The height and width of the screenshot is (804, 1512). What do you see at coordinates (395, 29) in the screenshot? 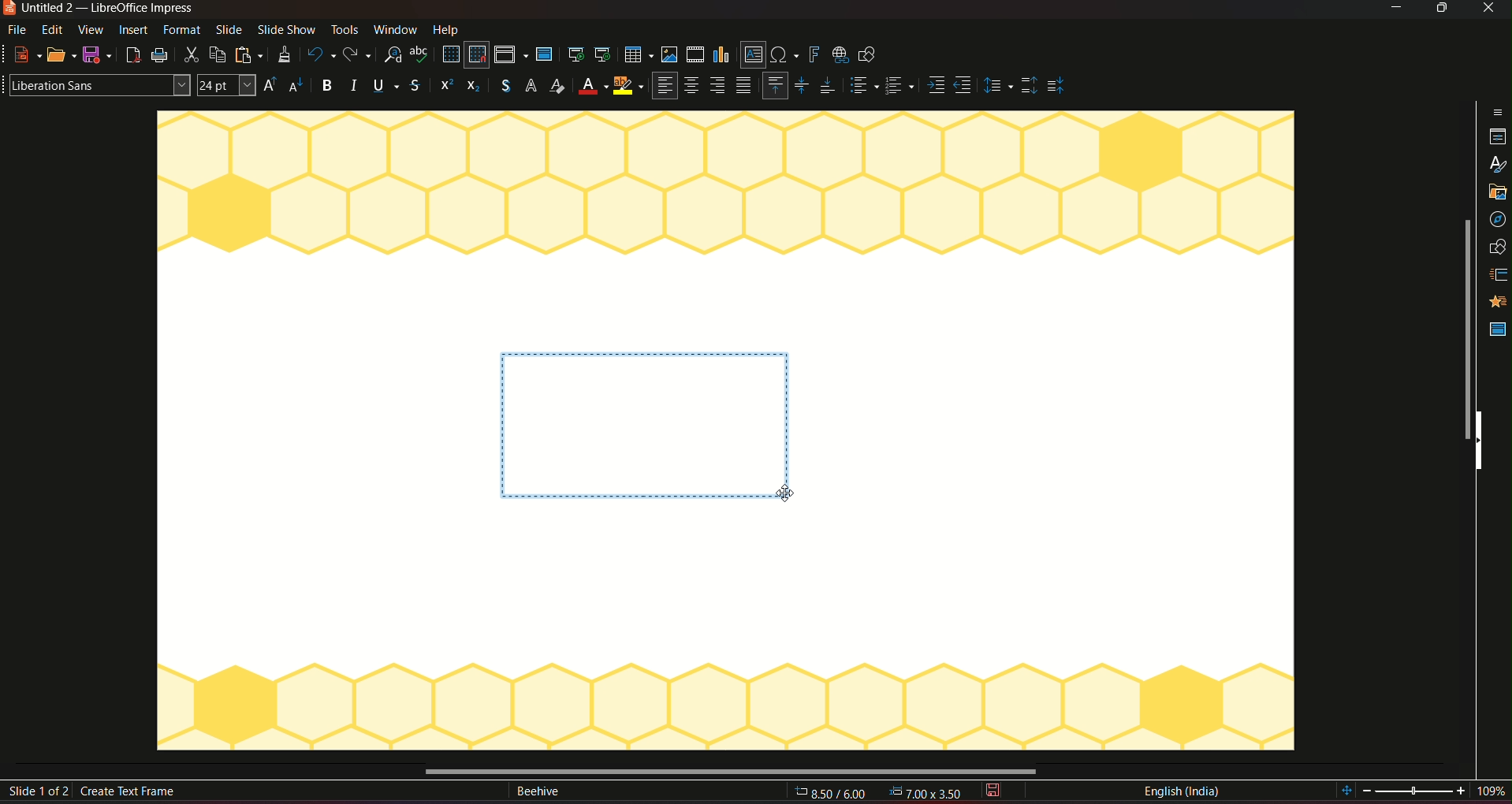
I see `window` at bounding box center [395, 29].